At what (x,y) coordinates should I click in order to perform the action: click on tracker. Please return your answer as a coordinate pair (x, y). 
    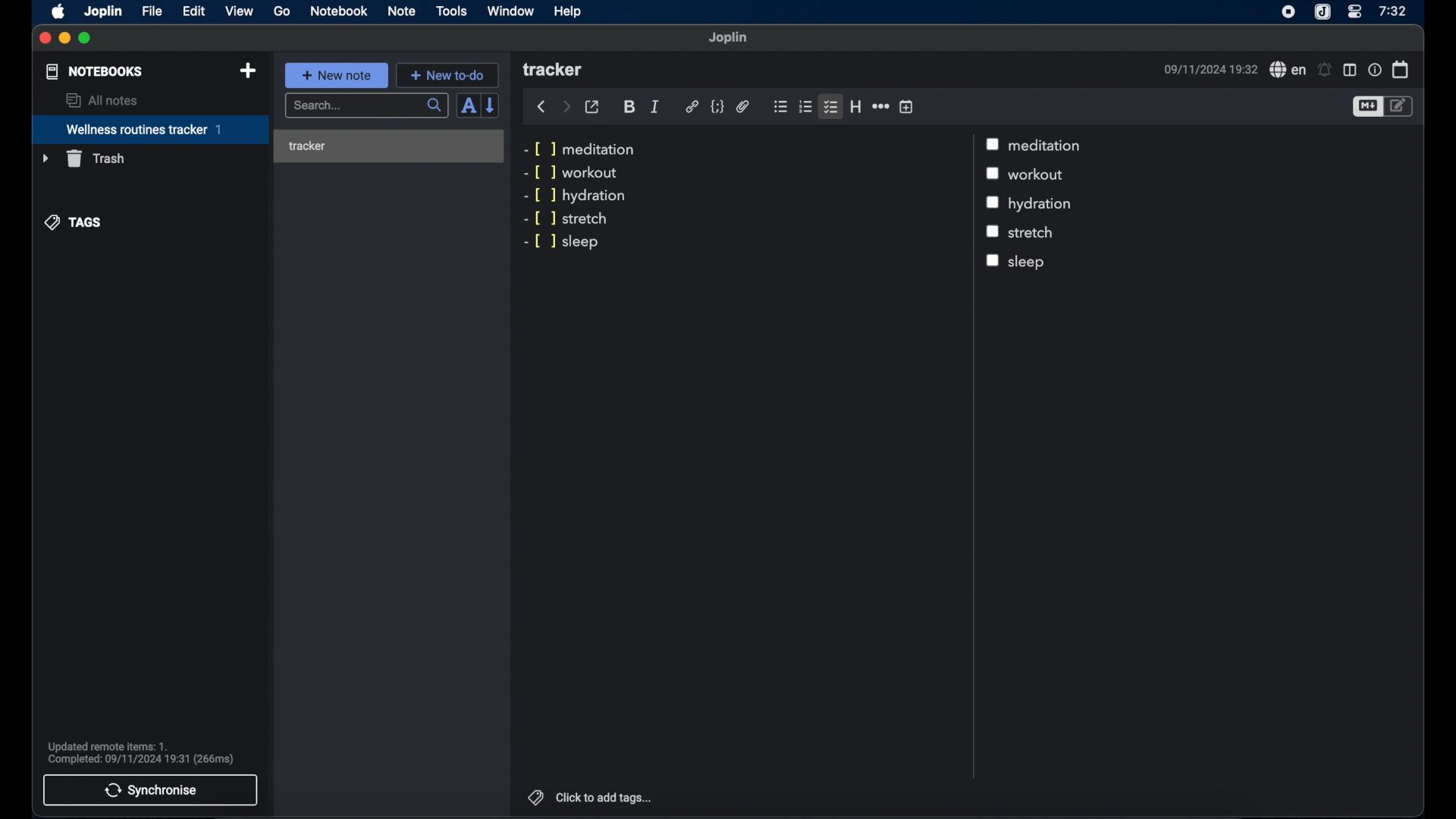
    Looking at the image, I should click on (384, 146).